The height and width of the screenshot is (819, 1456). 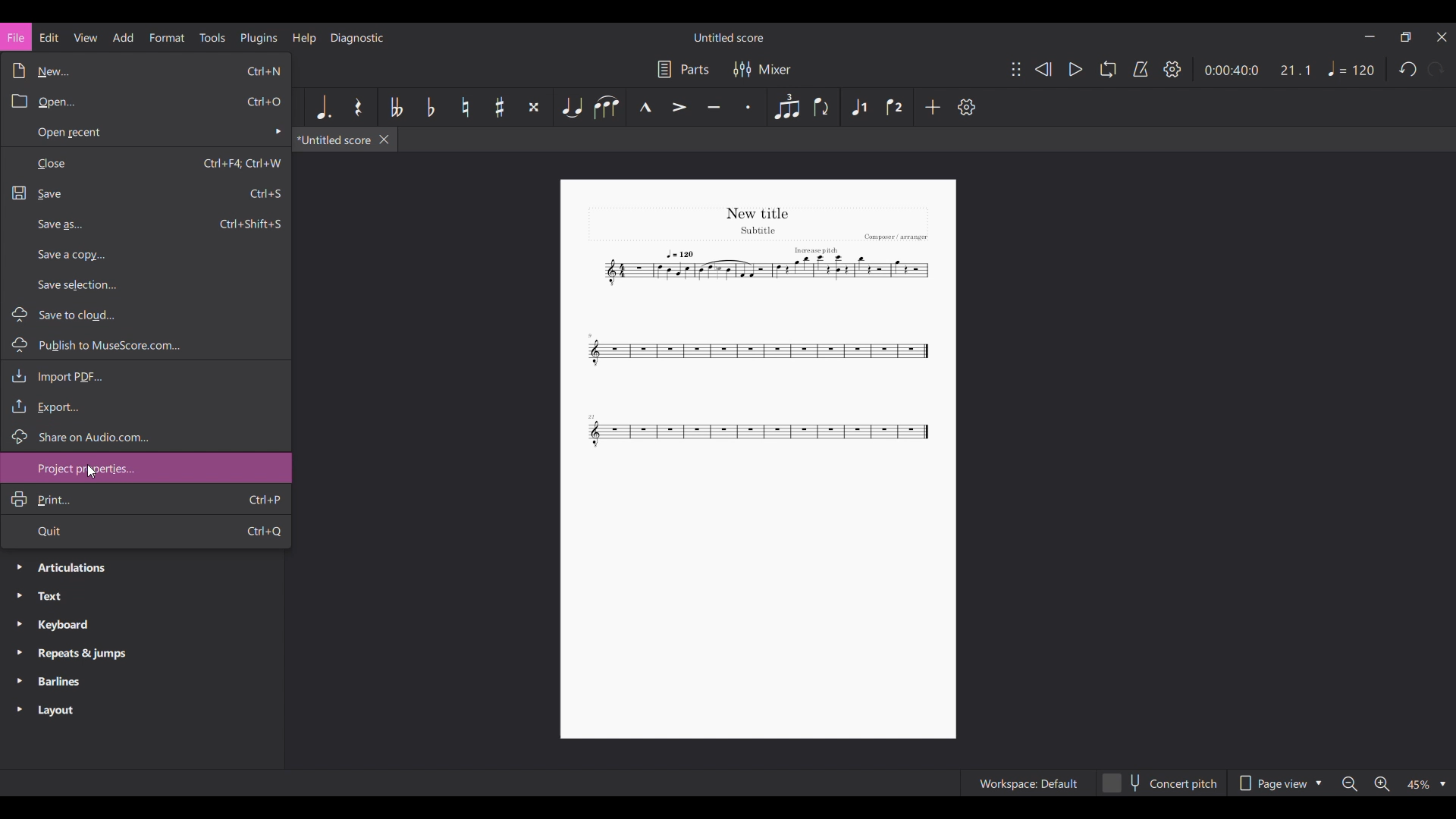 What do you see at coordinates (1278, 783) in the screenshot?
I see `Page view options` at bounding box center [1278, 783].